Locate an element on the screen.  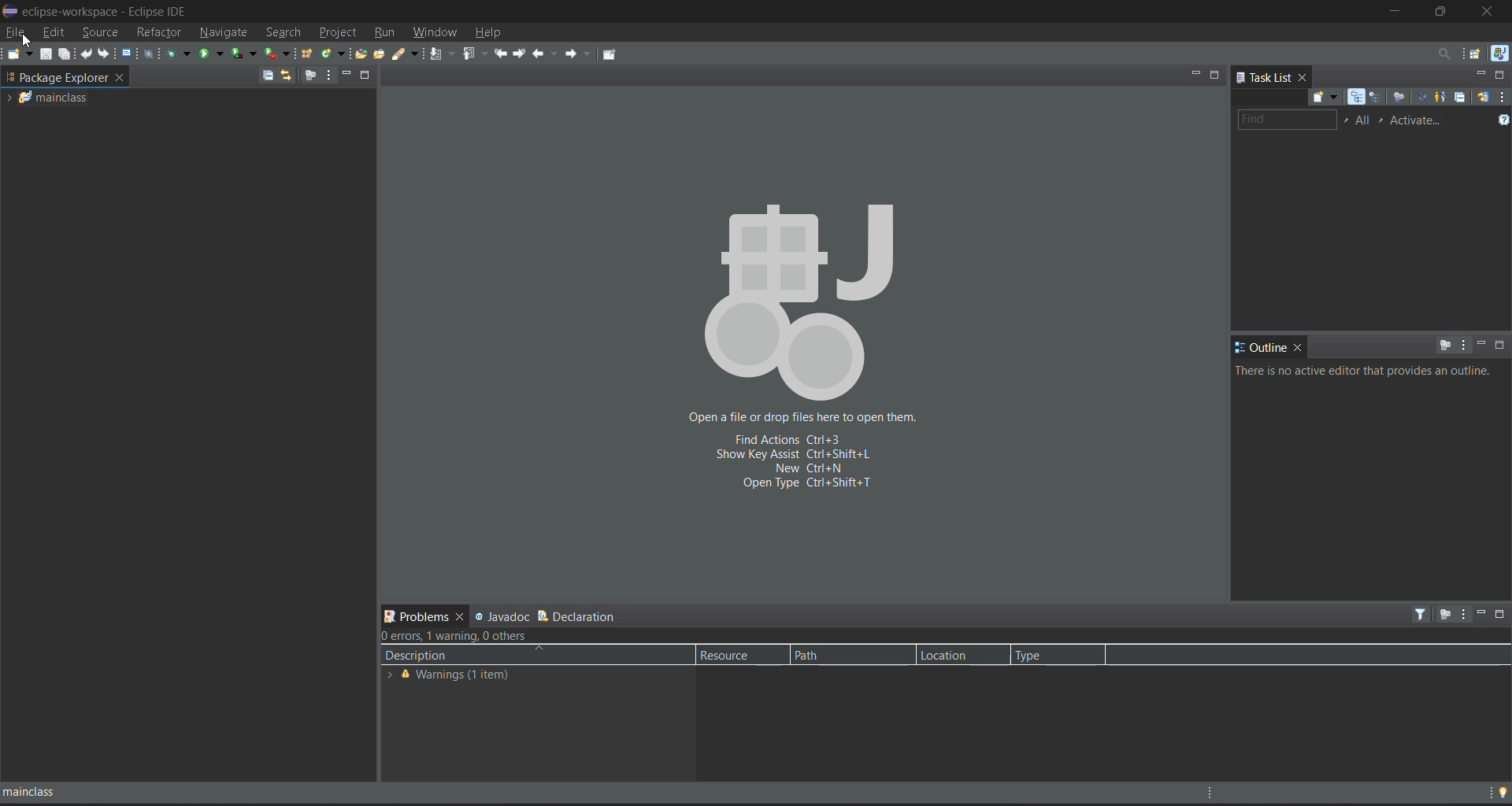
description is located at coordinates (478, 656).